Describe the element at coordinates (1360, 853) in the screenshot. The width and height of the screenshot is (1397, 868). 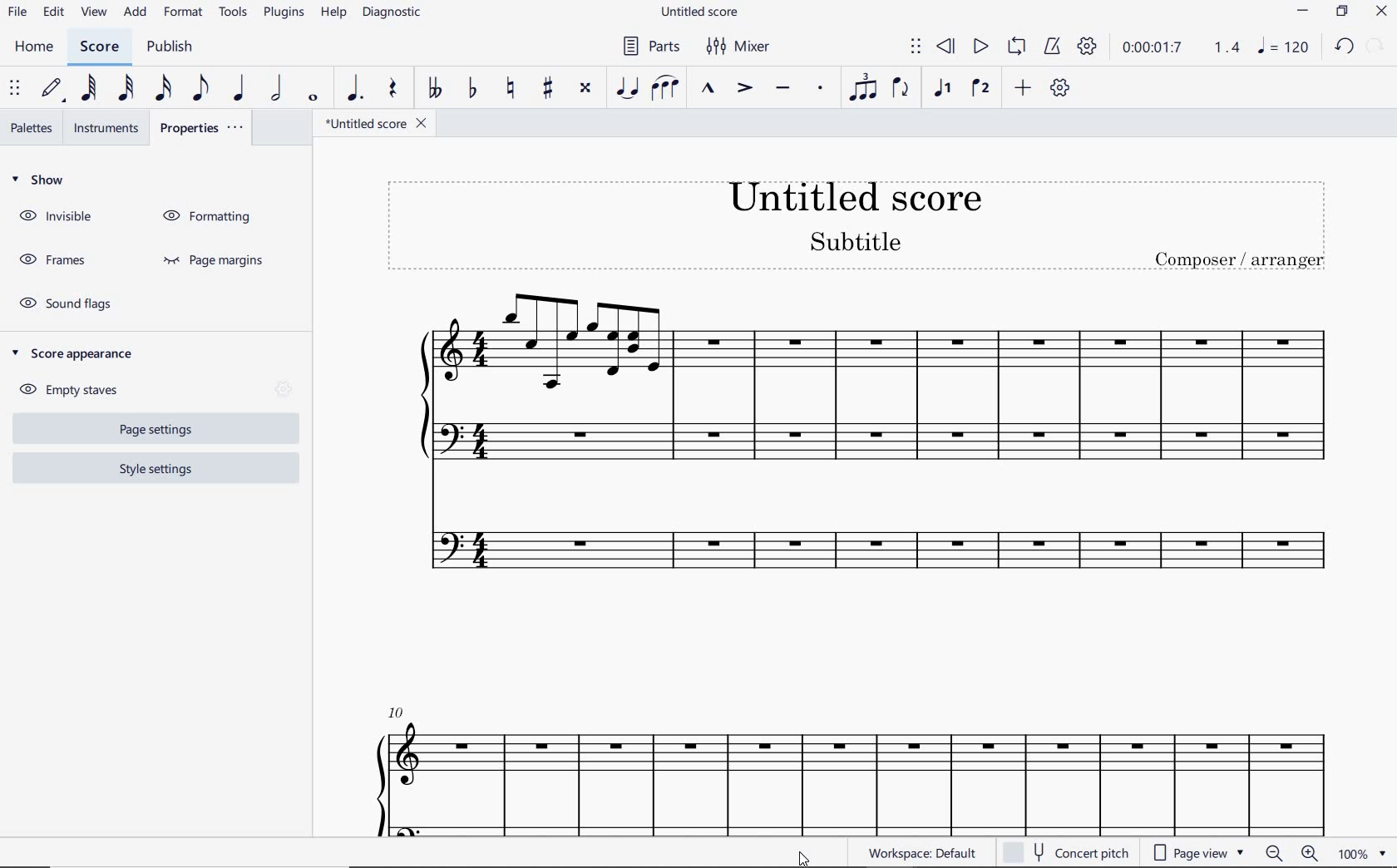
I see `zoom factor` at that location.